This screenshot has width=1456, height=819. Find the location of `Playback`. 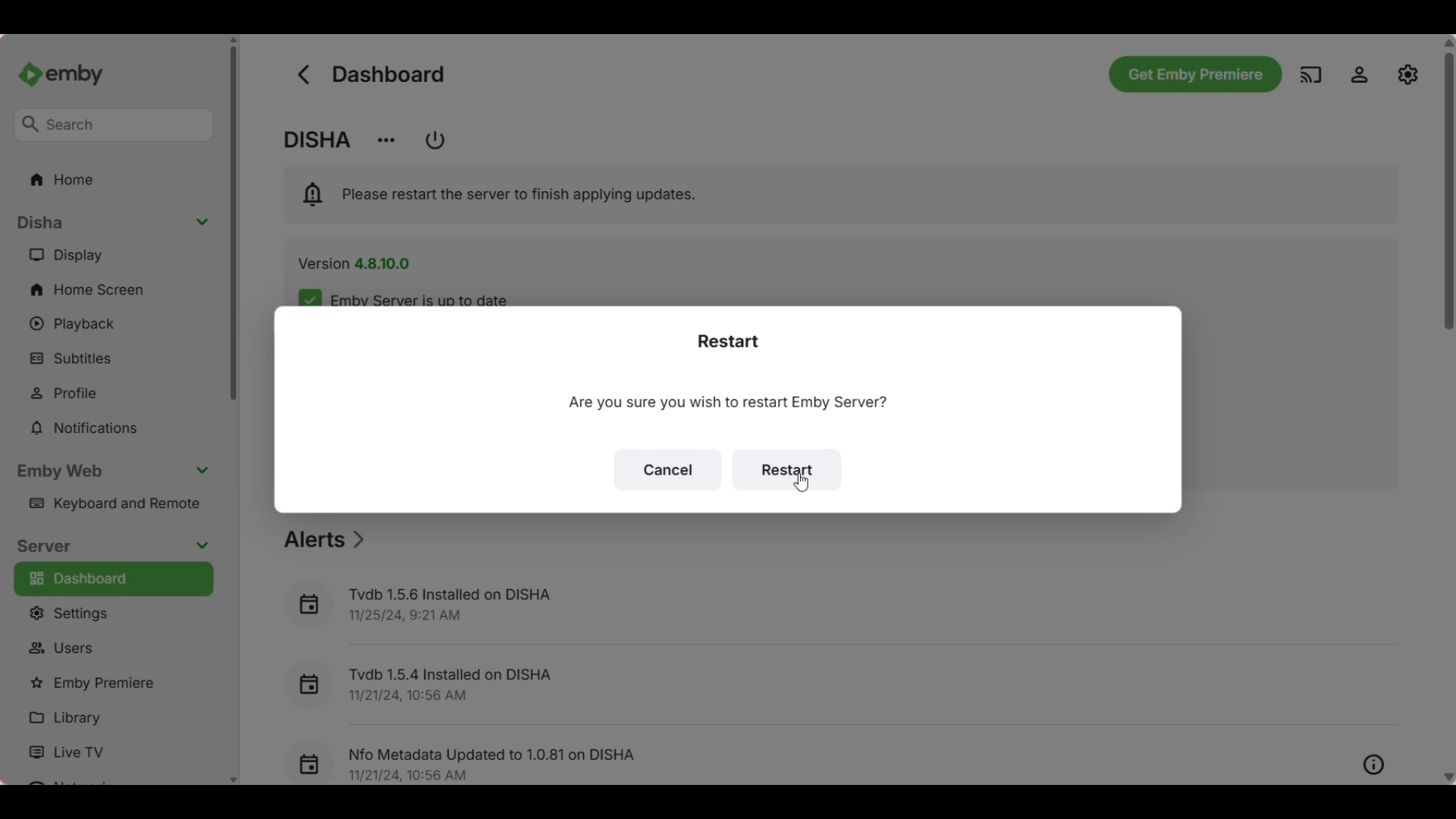

Playback is located at coordinates (113, 324).